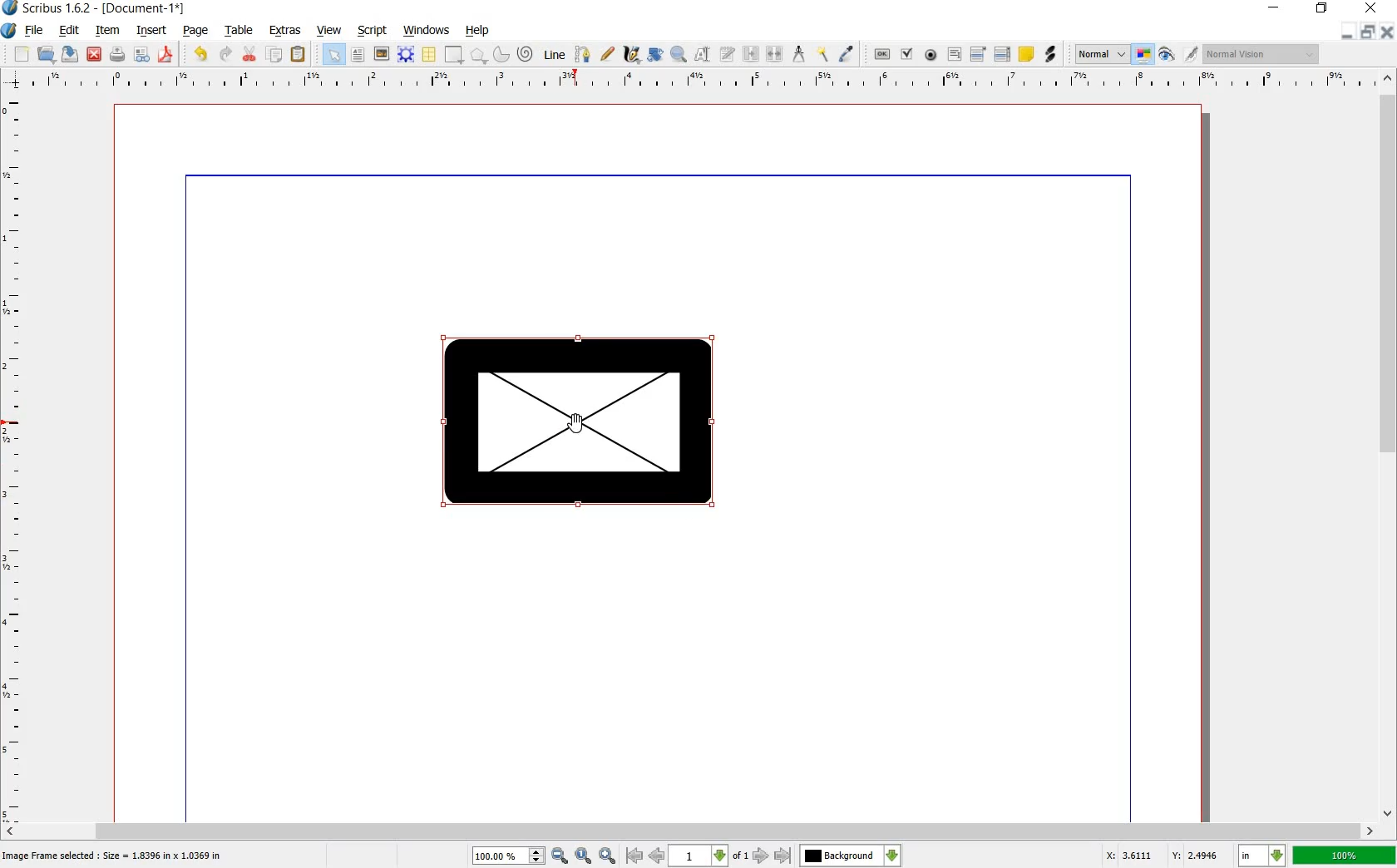 Image resolution: width=1397 pixels, height=868 pixels. Describe the element at coordinates (521, 855) in the screenshot. I see `zoom in` at that location.